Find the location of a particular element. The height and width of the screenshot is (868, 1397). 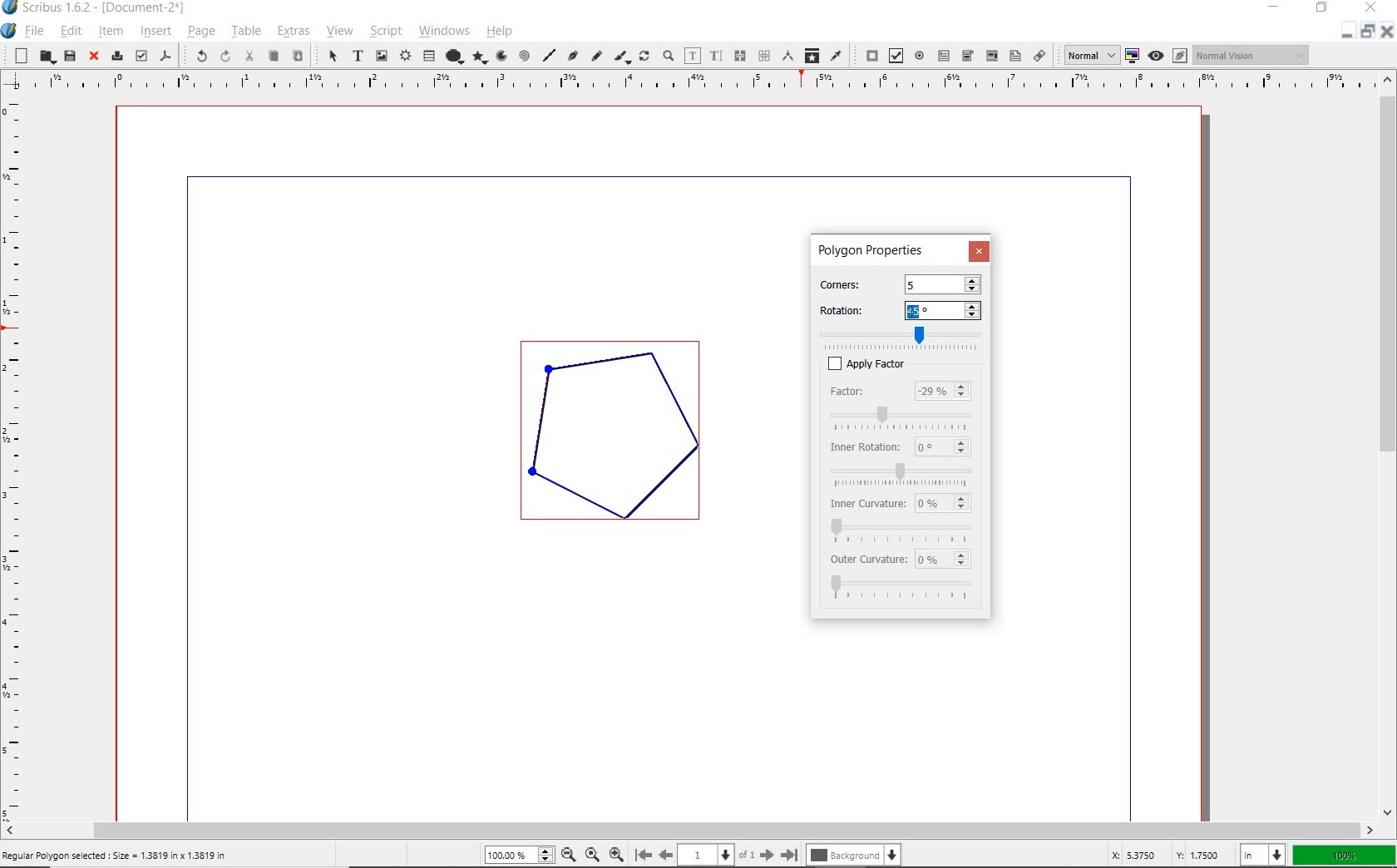

page is located at coordinates (200, 32).